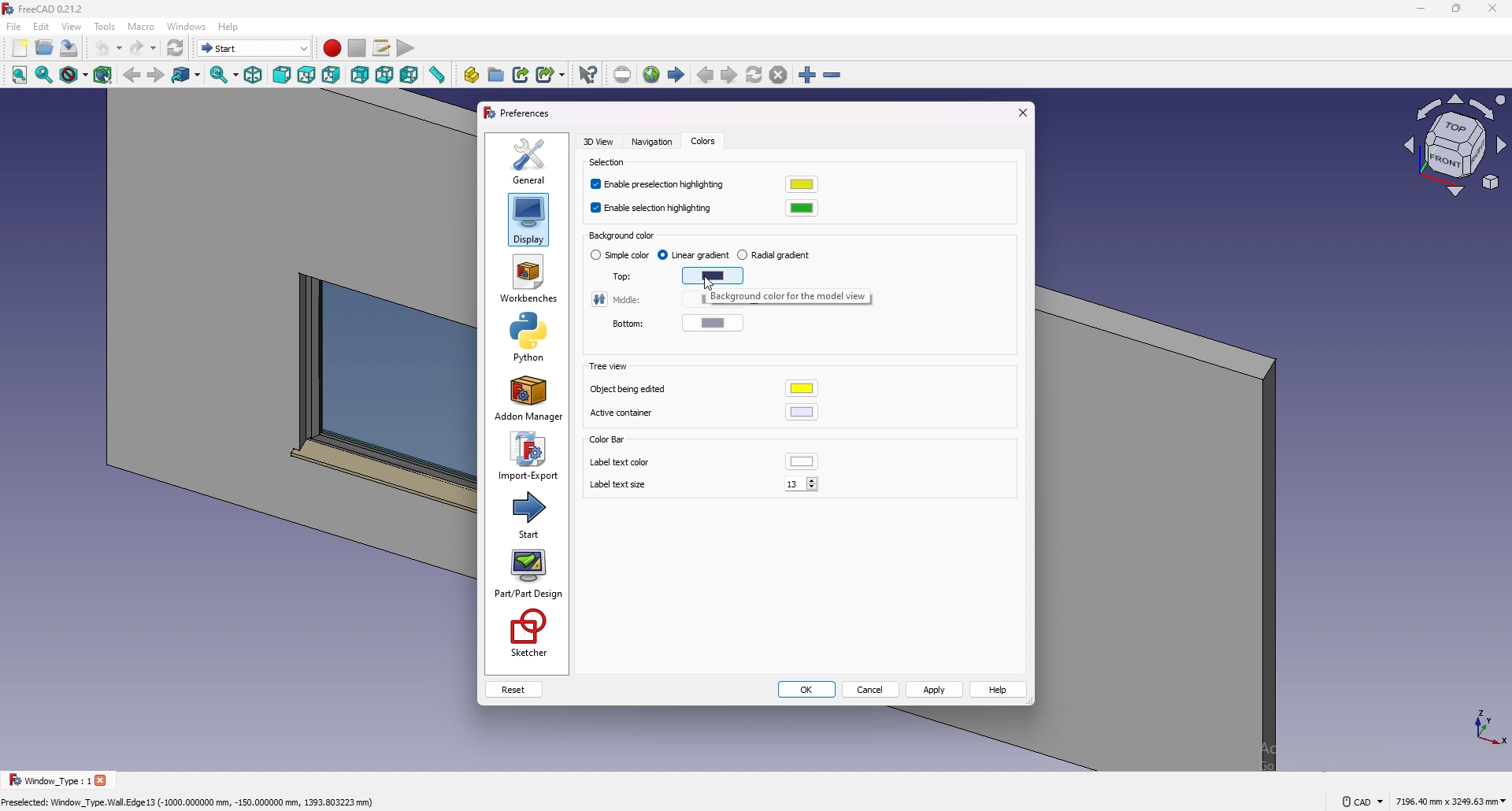  What do you see at coordinates (383, 48) in the screenshot?
I see `macros` at bounding box center [383, 48].